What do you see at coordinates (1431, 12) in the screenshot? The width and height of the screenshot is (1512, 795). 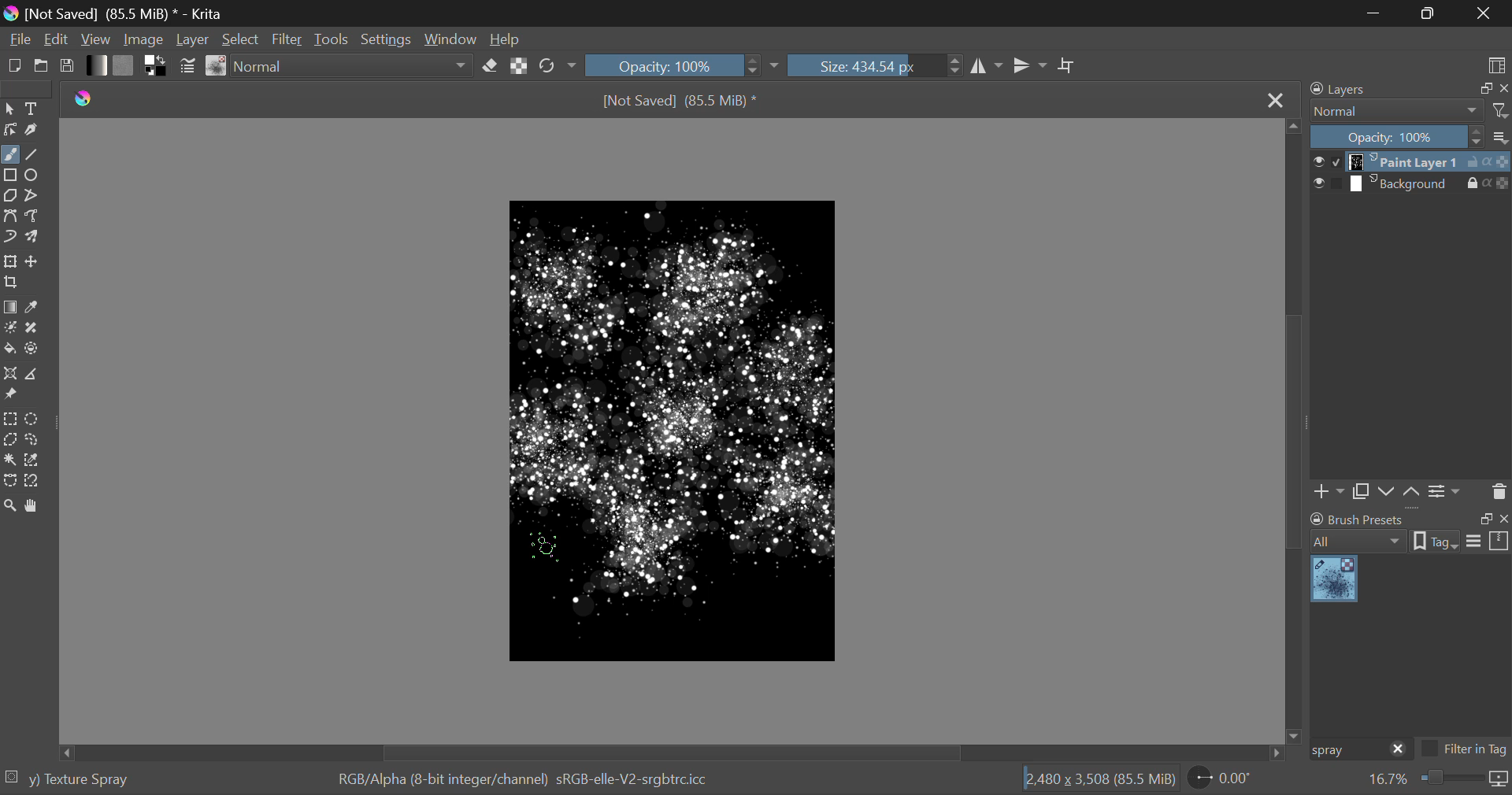 I see `Minimize` at bounding box center [1431, 12].